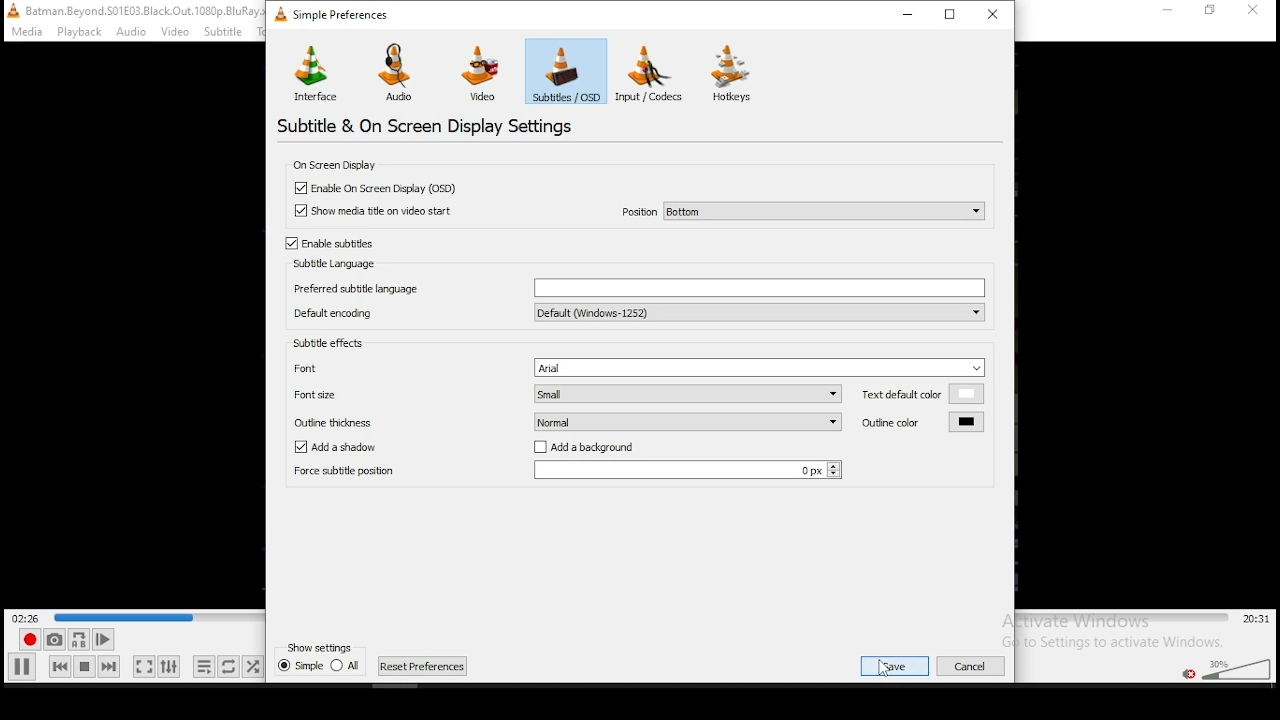 The image size is (1280, 720). I want to click on , so click(132, 32).